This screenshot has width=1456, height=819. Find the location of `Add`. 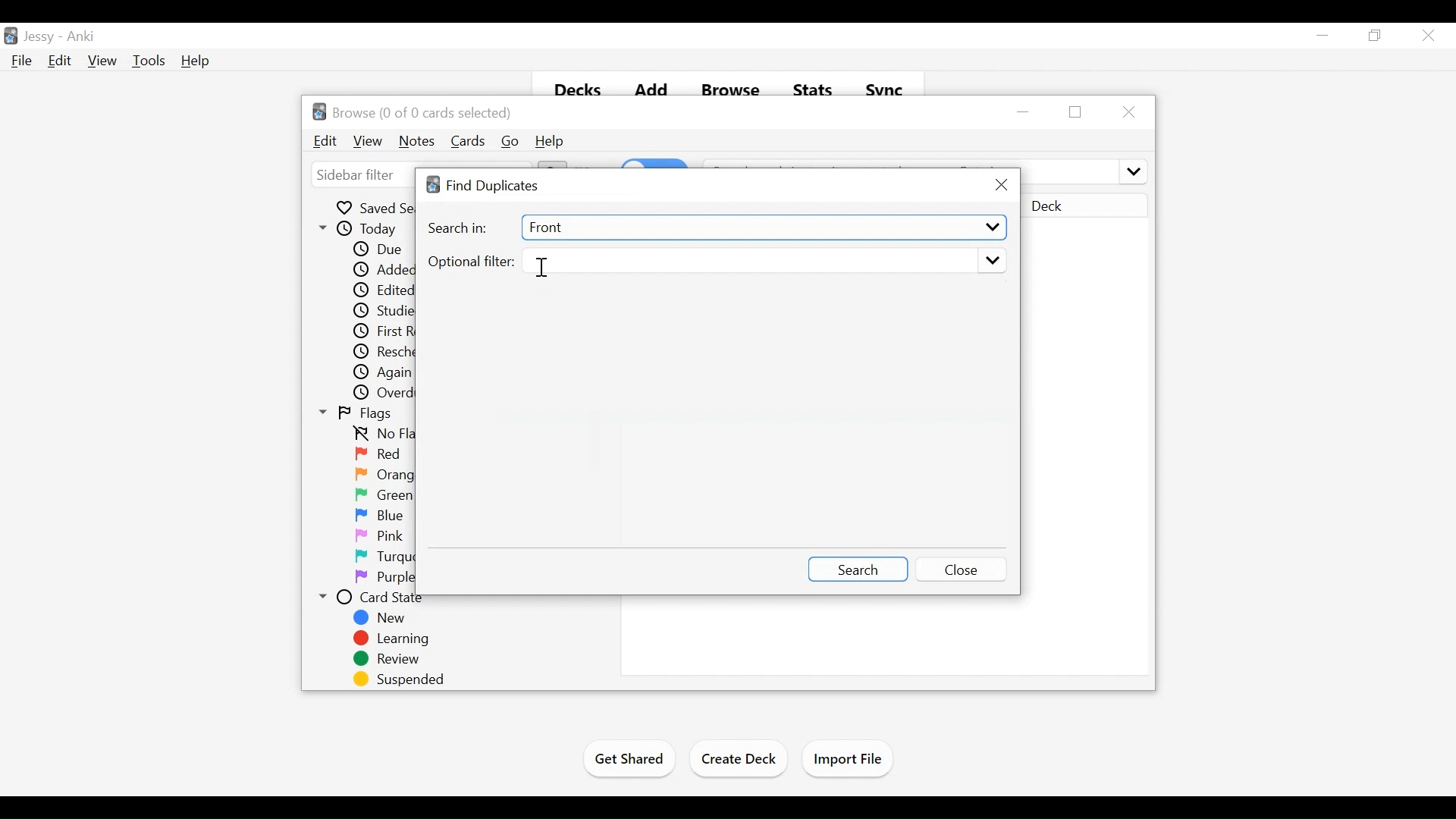

Add is located at coordinates (651, 86).